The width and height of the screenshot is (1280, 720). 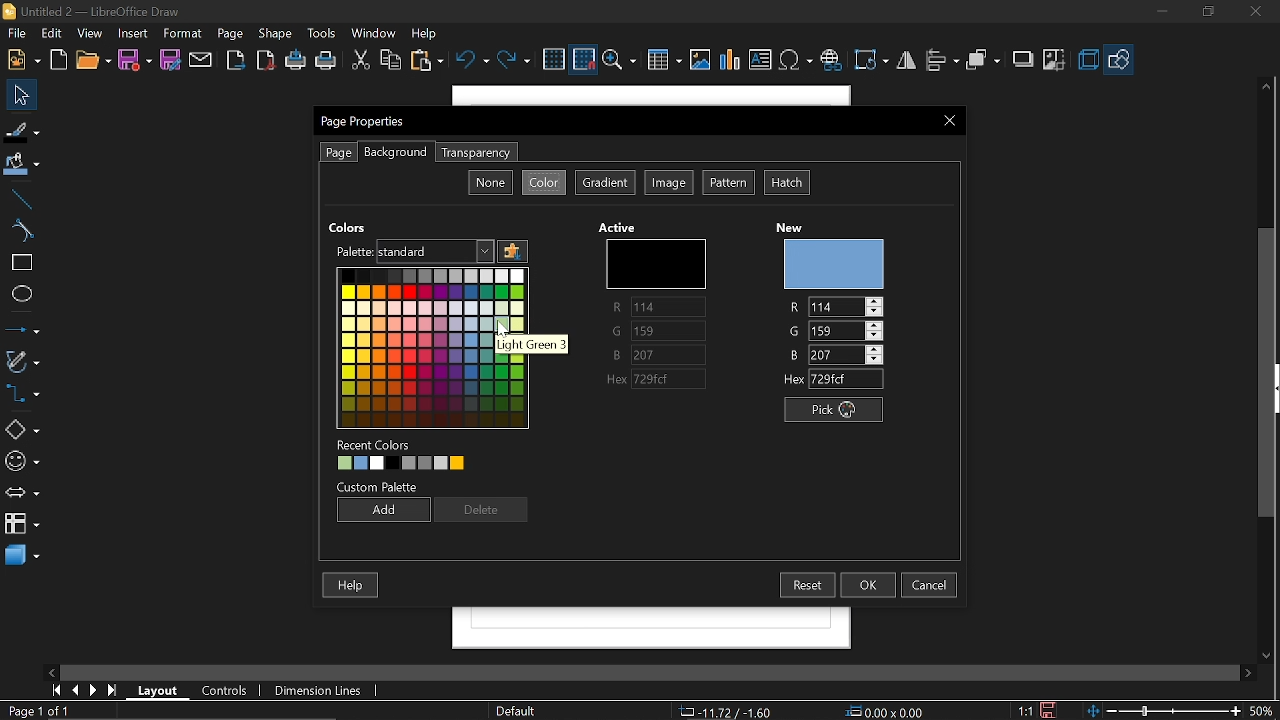 I want to click on Insert symbol, so click(x=796, y=61).